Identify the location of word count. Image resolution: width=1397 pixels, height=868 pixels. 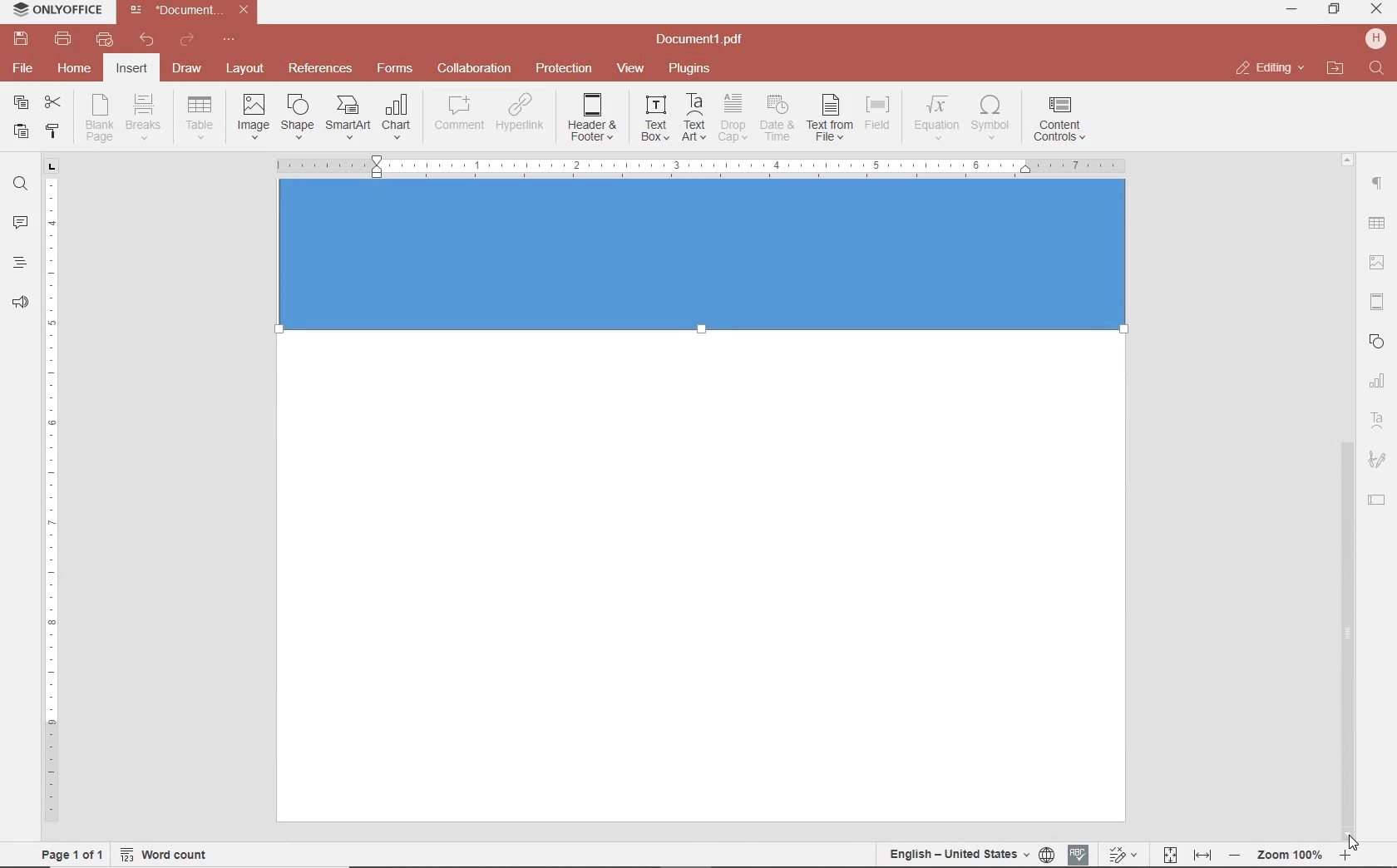
(170, 855).